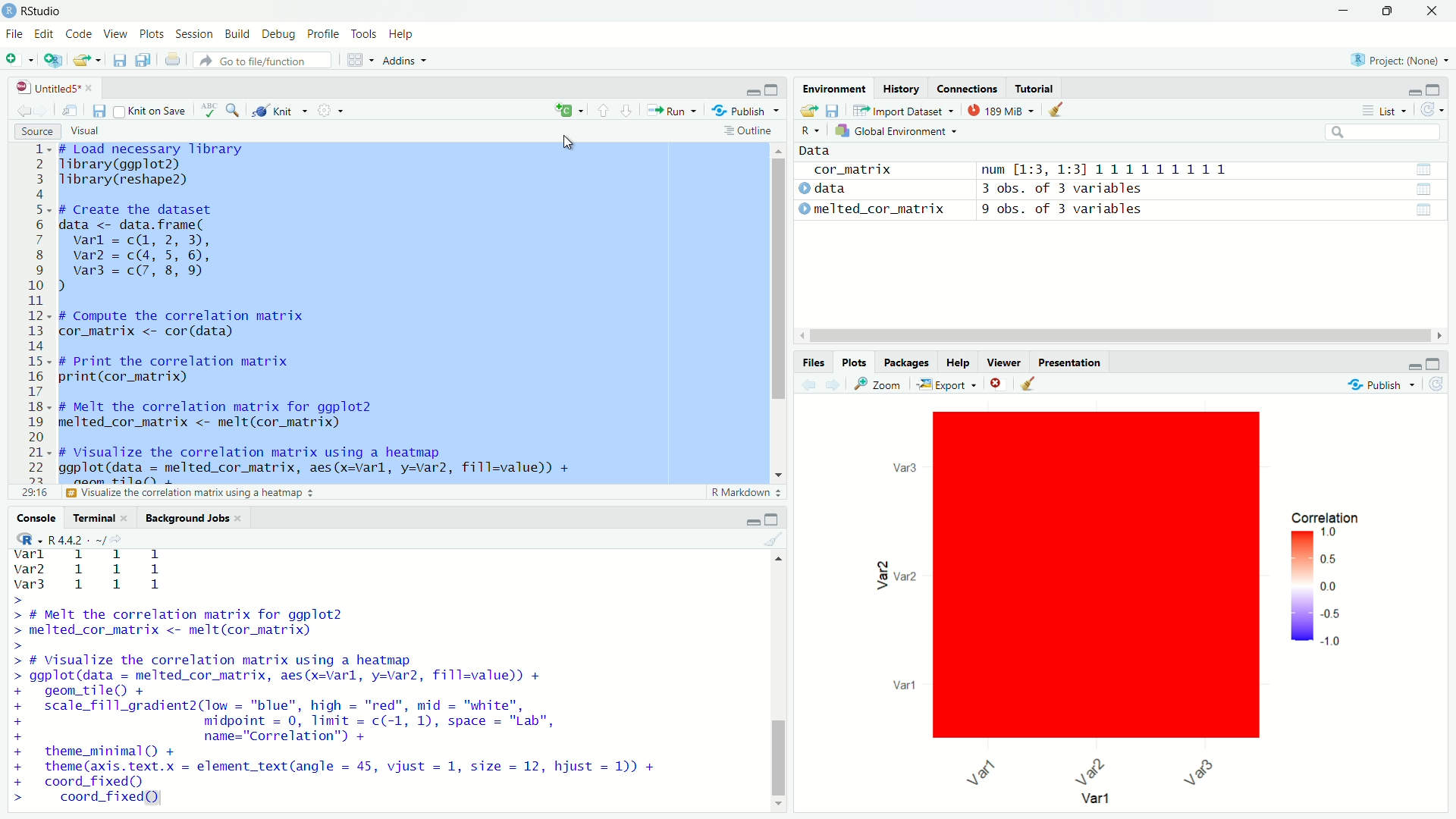 The image size is (1456, 819). Describe the element at coordinates (880, 209) in the screenshot. I see `data 3 : melted_cor_matrix` at that location.